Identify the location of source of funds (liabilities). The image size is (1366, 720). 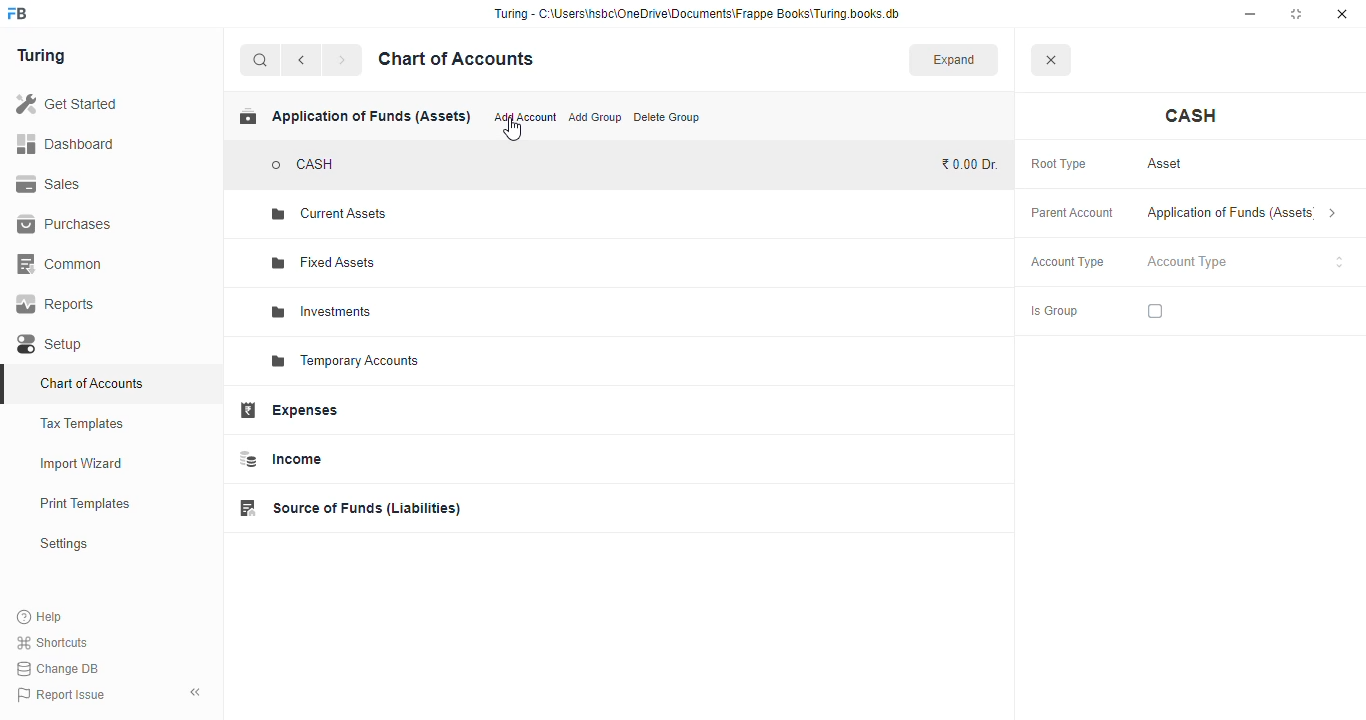
(349, 508).